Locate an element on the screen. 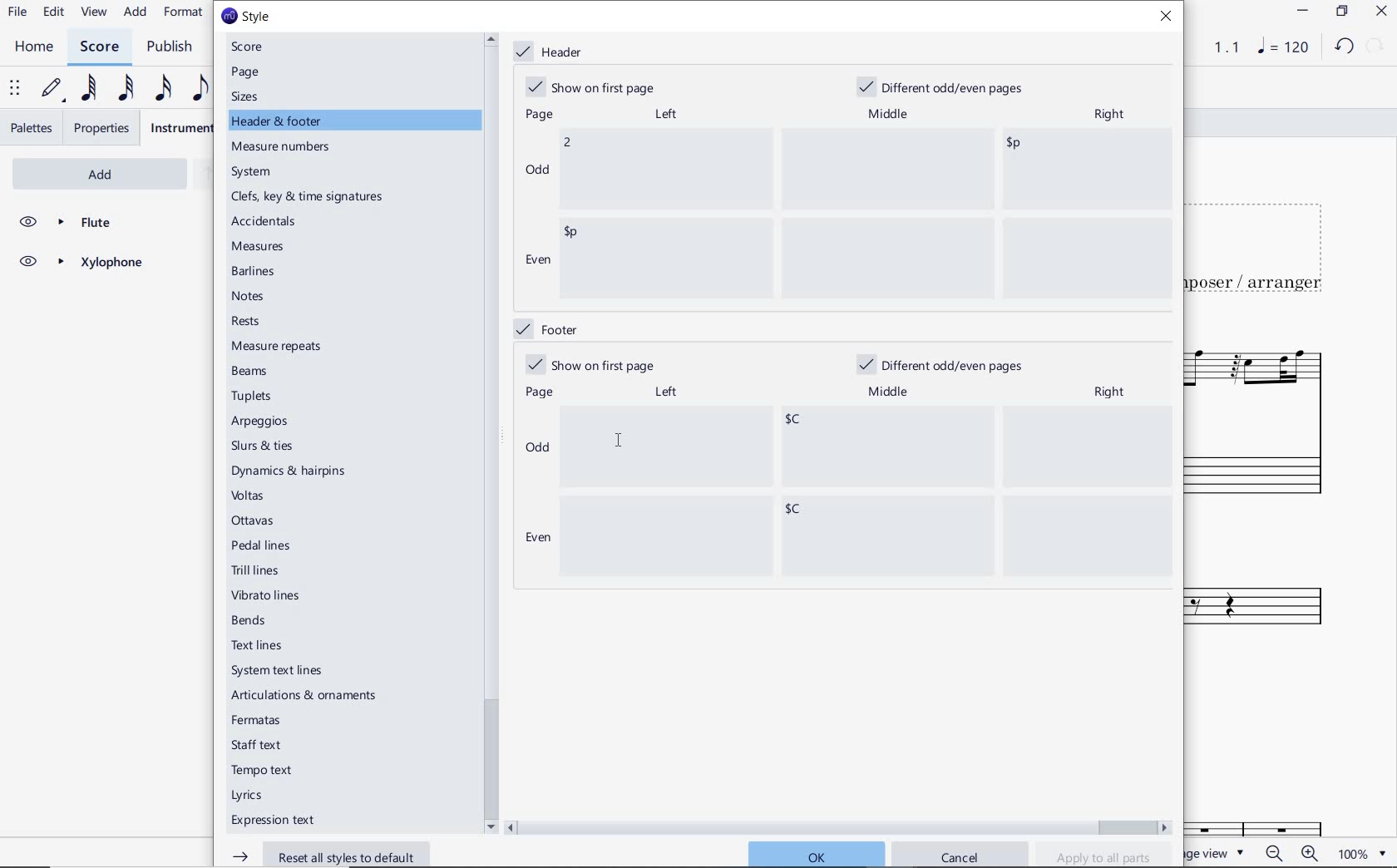 Image resolution: width=1397 pixels, height=868 pixels. 16TH NOTE is located at coordinates (163, 87).